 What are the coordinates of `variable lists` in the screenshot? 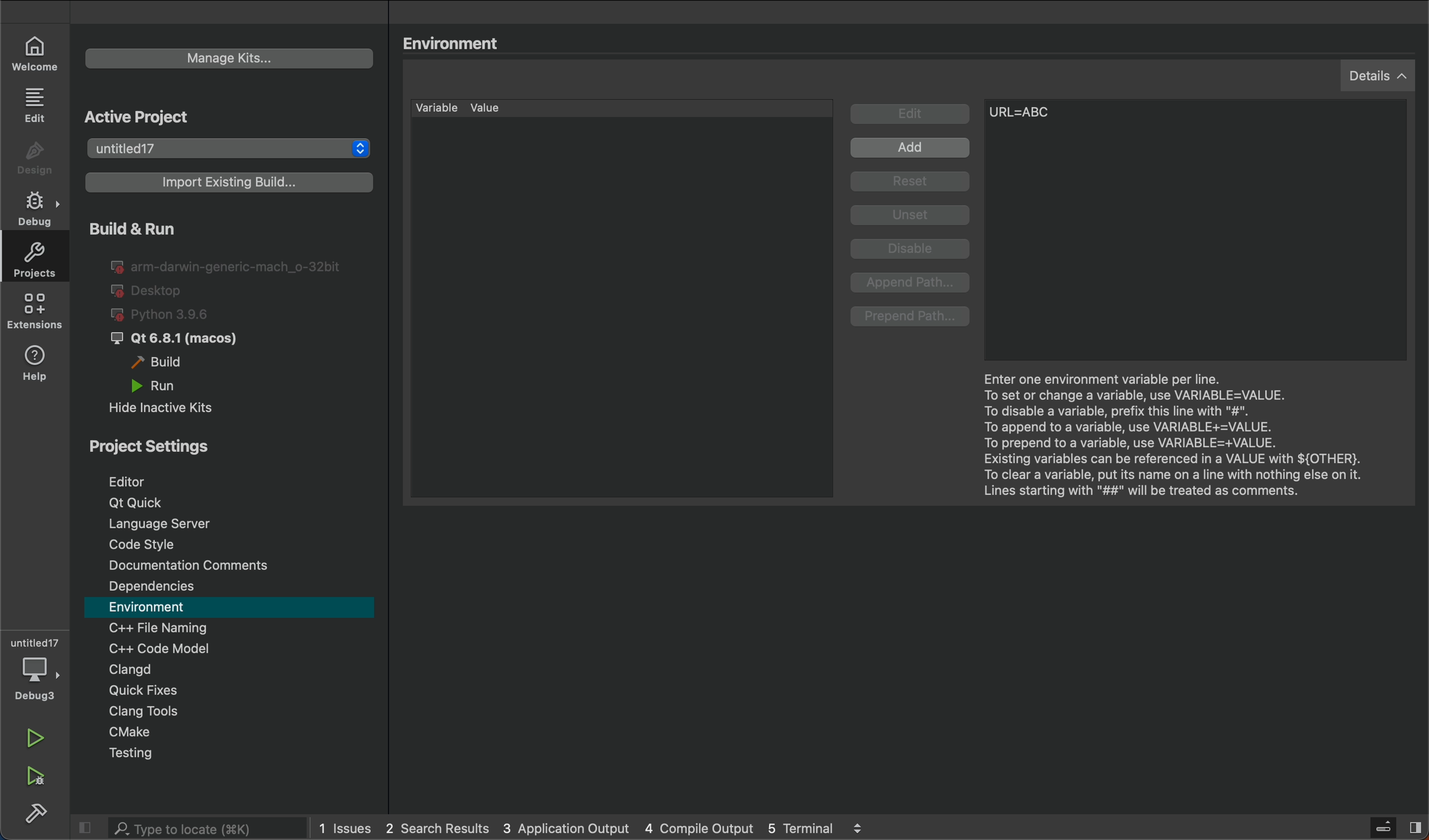 It's located at (622, 108).